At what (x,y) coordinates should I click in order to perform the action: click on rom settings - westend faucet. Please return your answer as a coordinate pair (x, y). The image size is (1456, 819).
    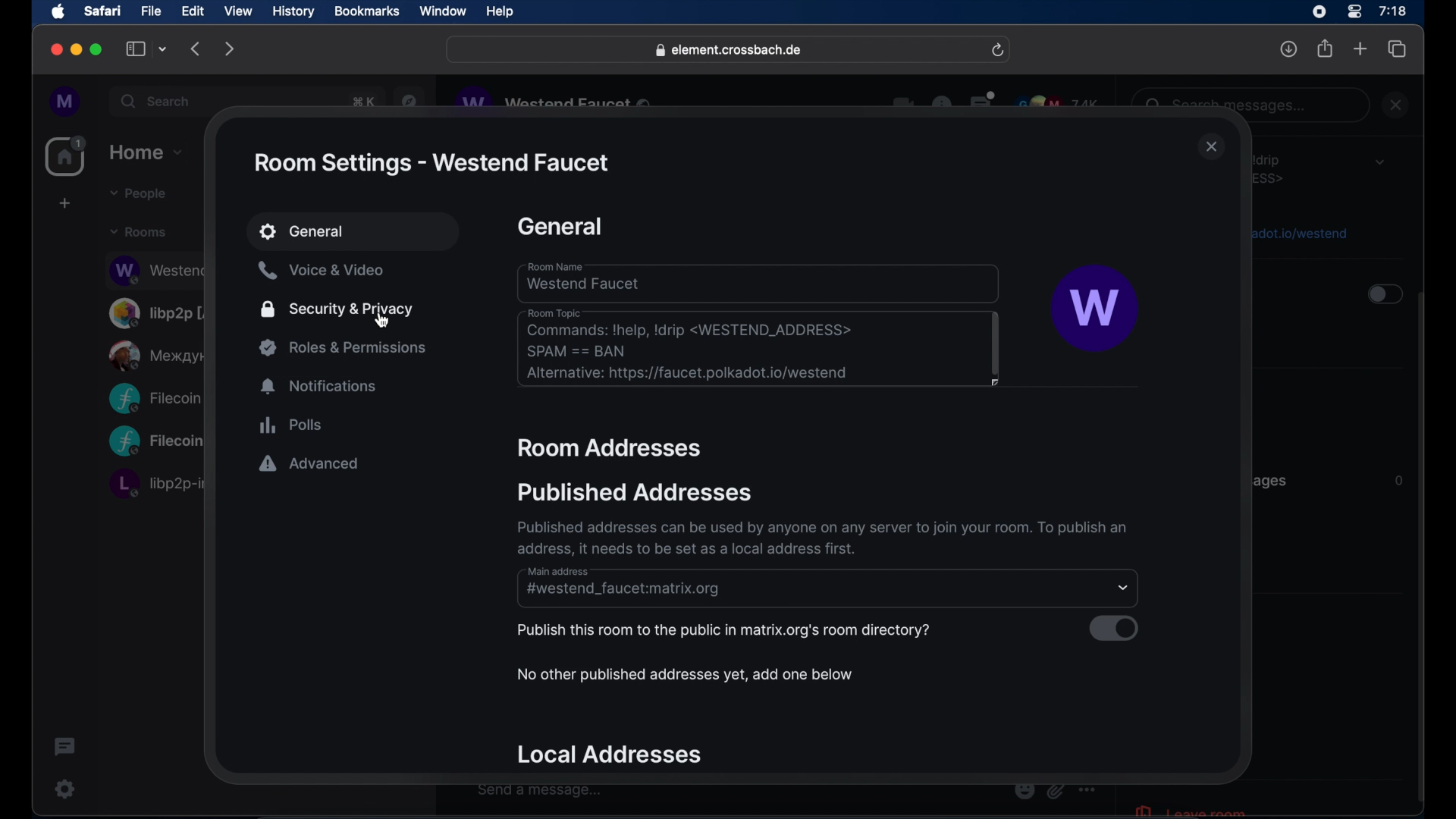
    Looking at the image, I should click on (430, 163).